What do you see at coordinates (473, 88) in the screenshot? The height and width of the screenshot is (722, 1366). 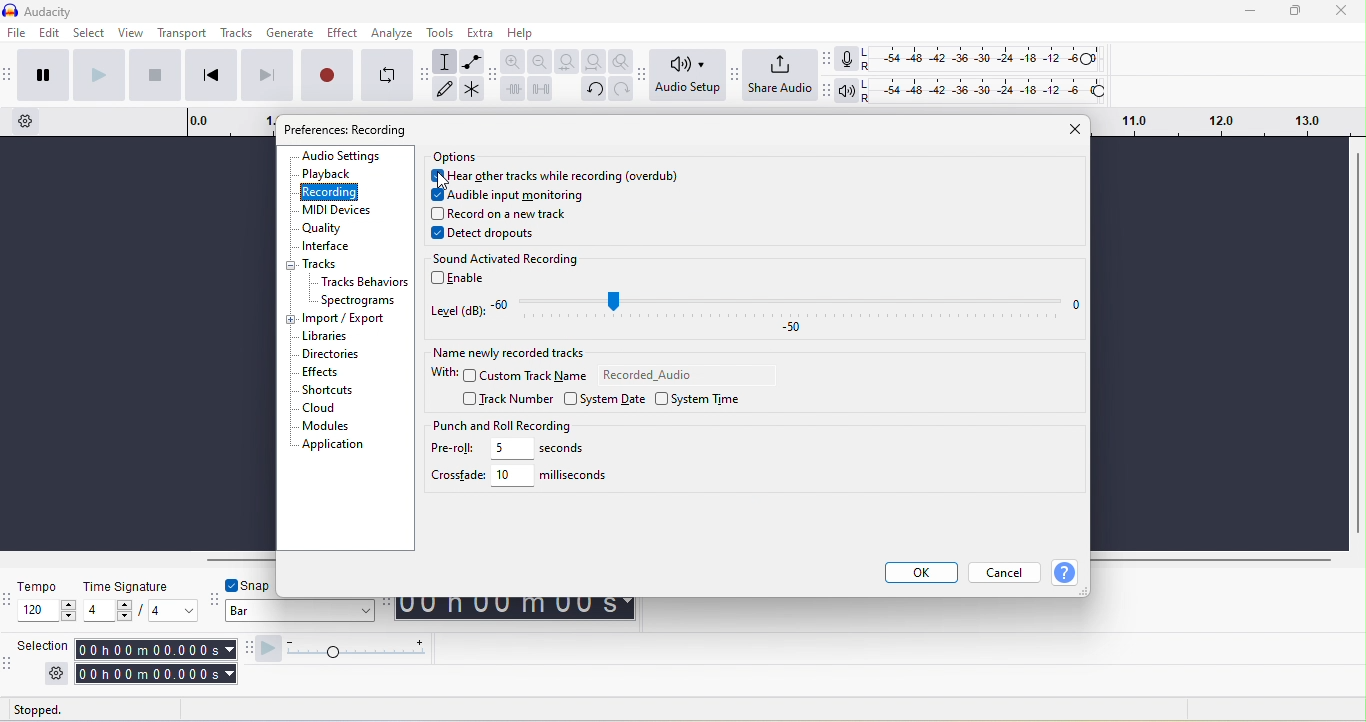 I see `multi tool` at bounding box center [473, 88].